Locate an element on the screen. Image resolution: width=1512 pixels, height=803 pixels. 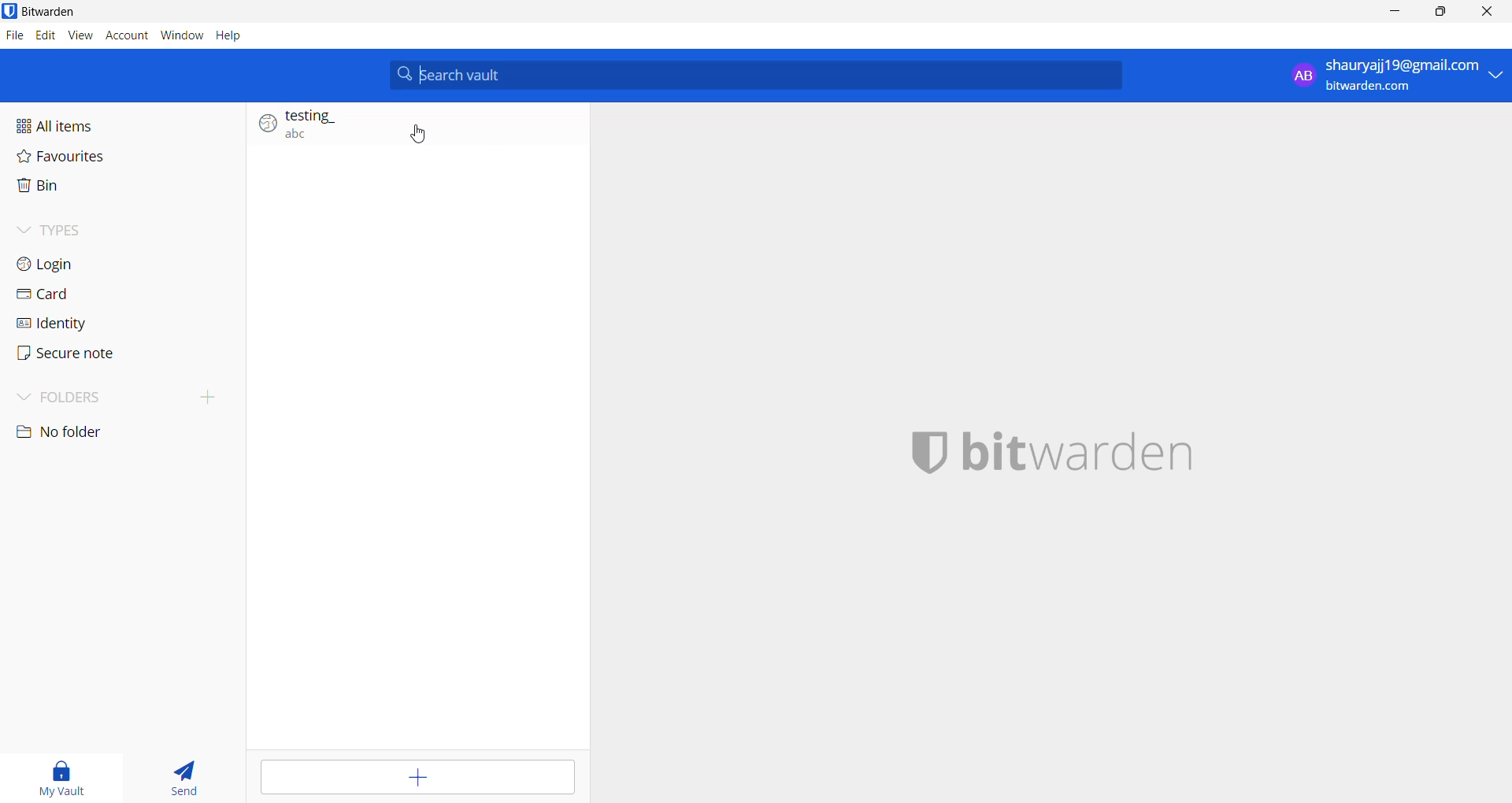
Types is located at coordinates (116, 227).